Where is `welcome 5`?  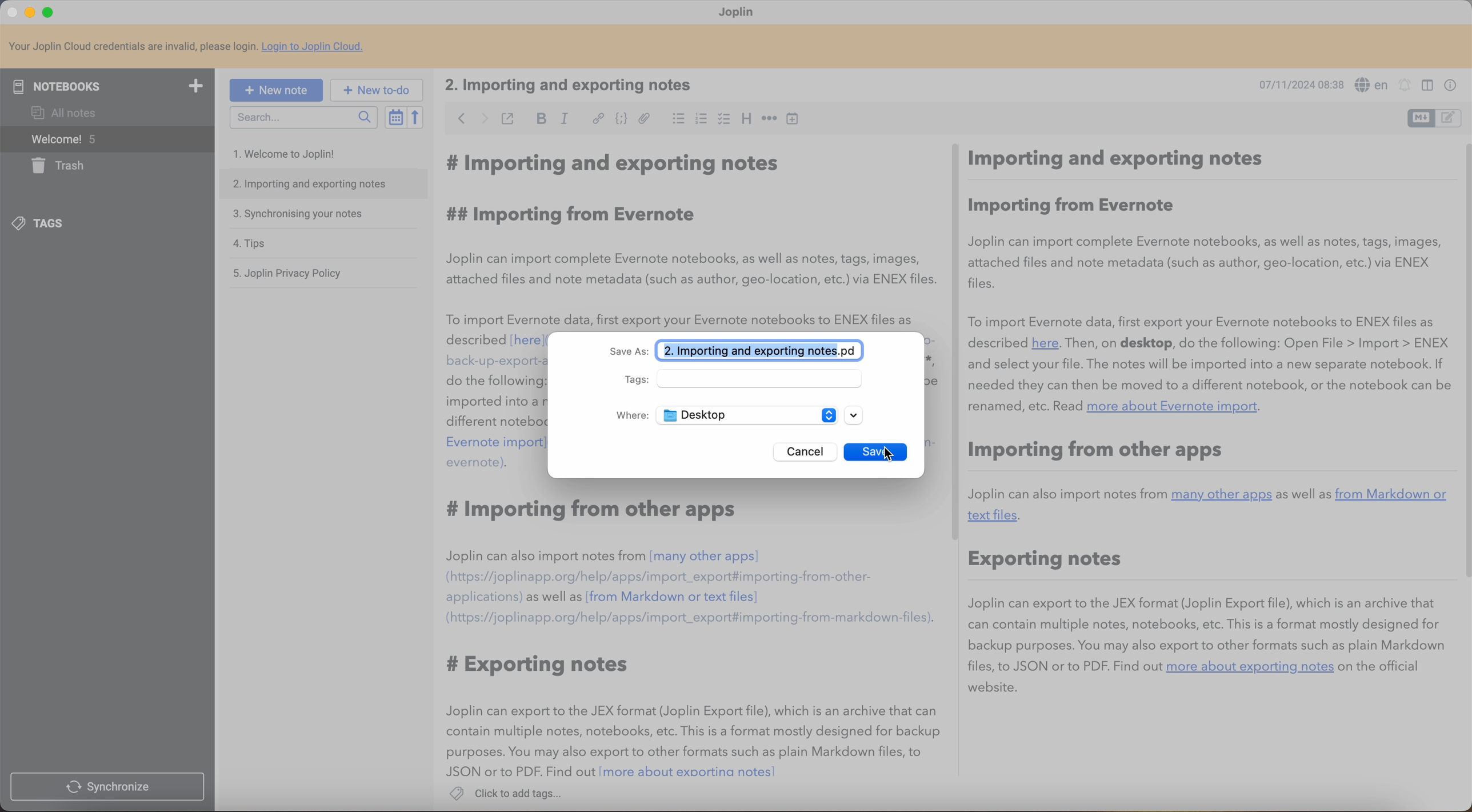 welcome 5 is located at coordinates (106, 139).